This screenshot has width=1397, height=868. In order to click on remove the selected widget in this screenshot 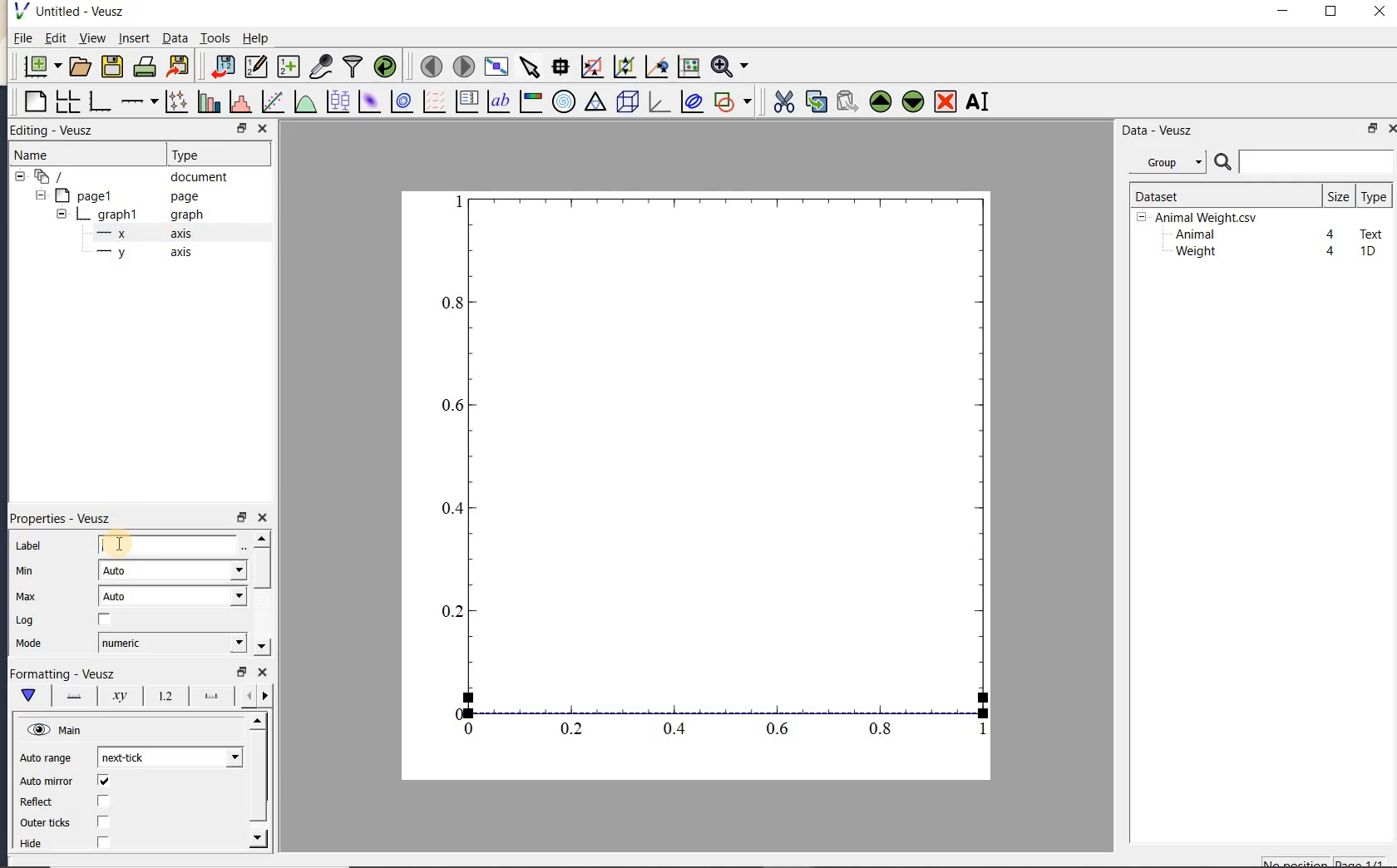, I will do `click(944, 103)`.